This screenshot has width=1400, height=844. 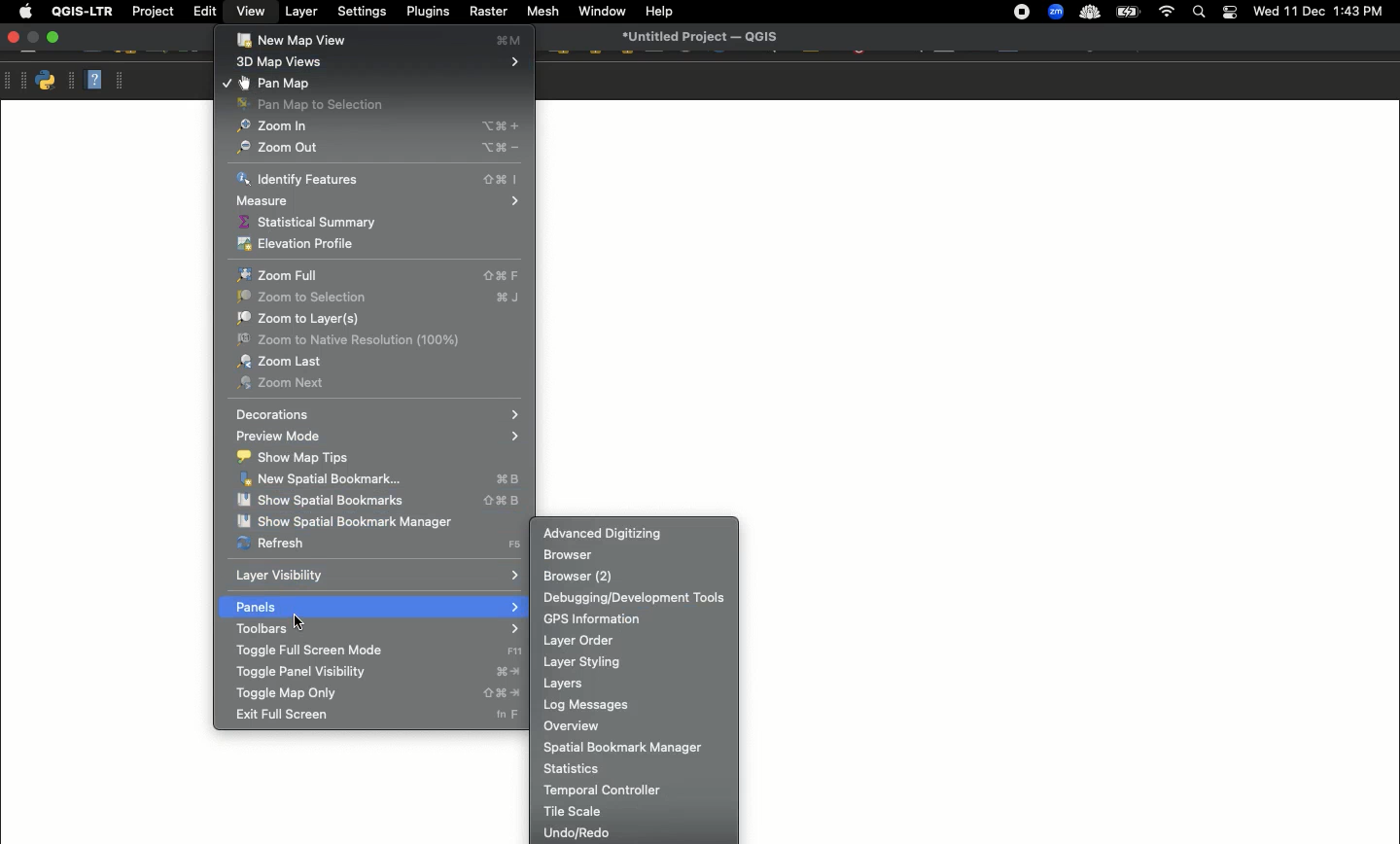 What do you see at coordinates (52, 37) in the screenshot?
I see `Maximize` at bounding box center [52, 37].